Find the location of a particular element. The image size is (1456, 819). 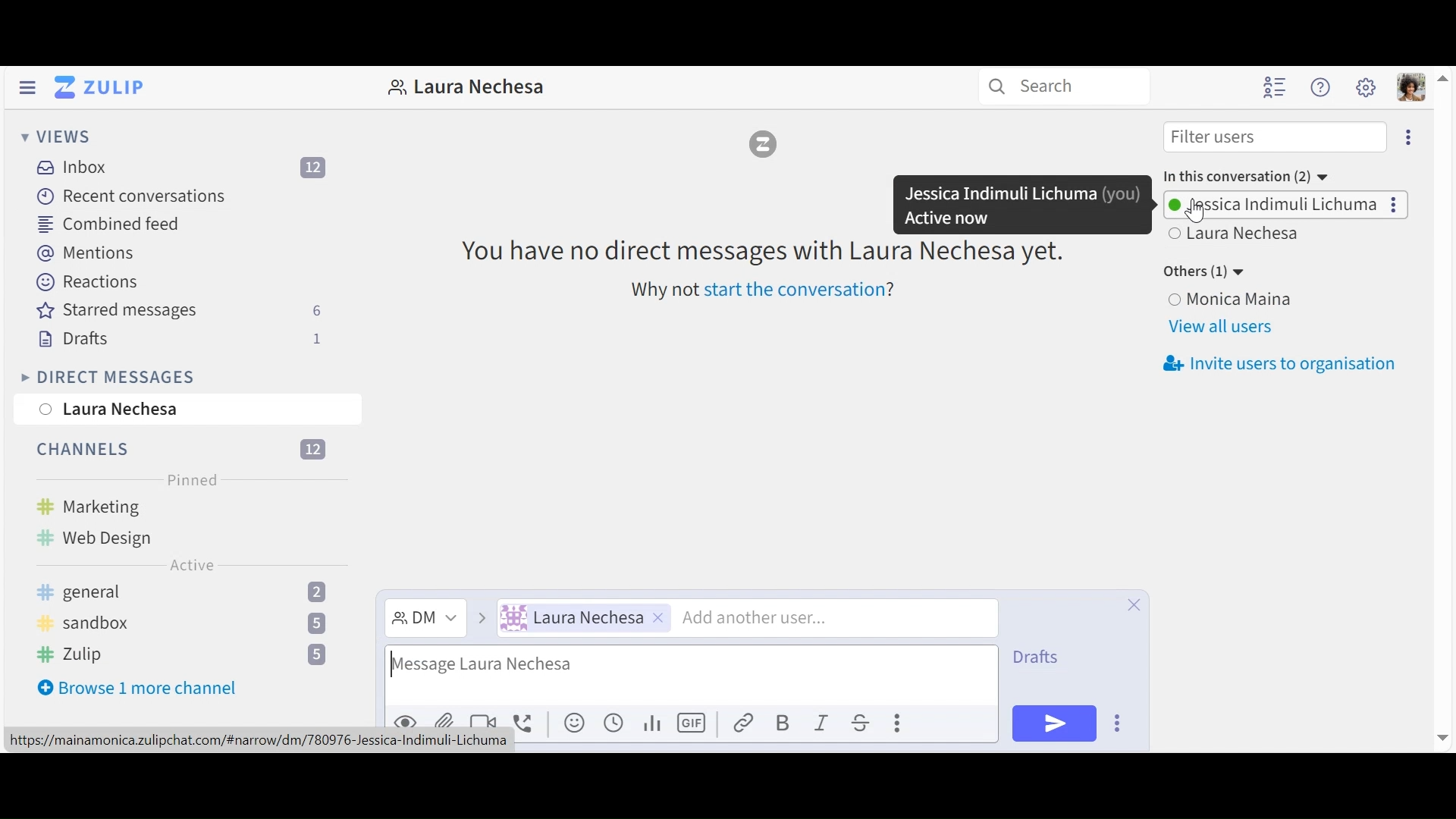

sandbox is located at coordinates (187, 622).